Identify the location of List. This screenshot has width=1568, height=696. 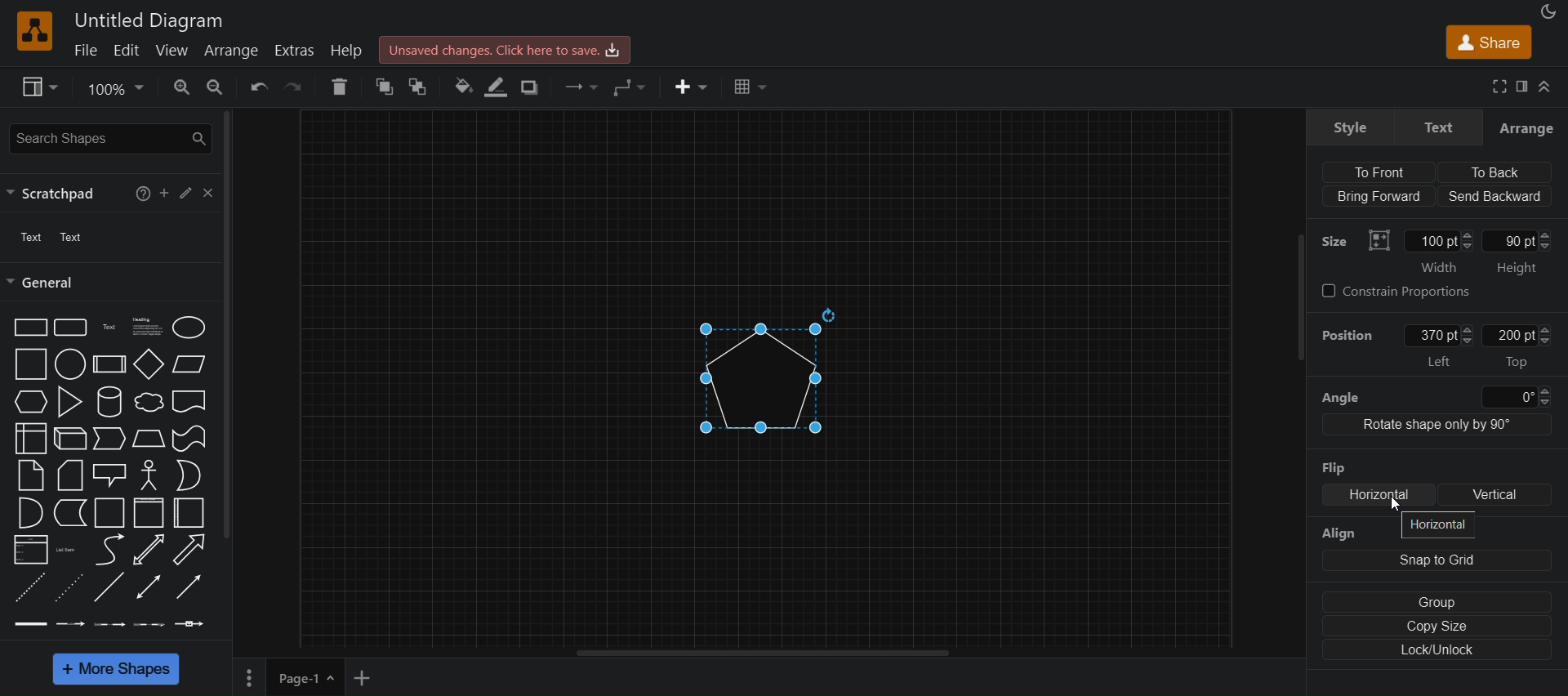
(31, 550).